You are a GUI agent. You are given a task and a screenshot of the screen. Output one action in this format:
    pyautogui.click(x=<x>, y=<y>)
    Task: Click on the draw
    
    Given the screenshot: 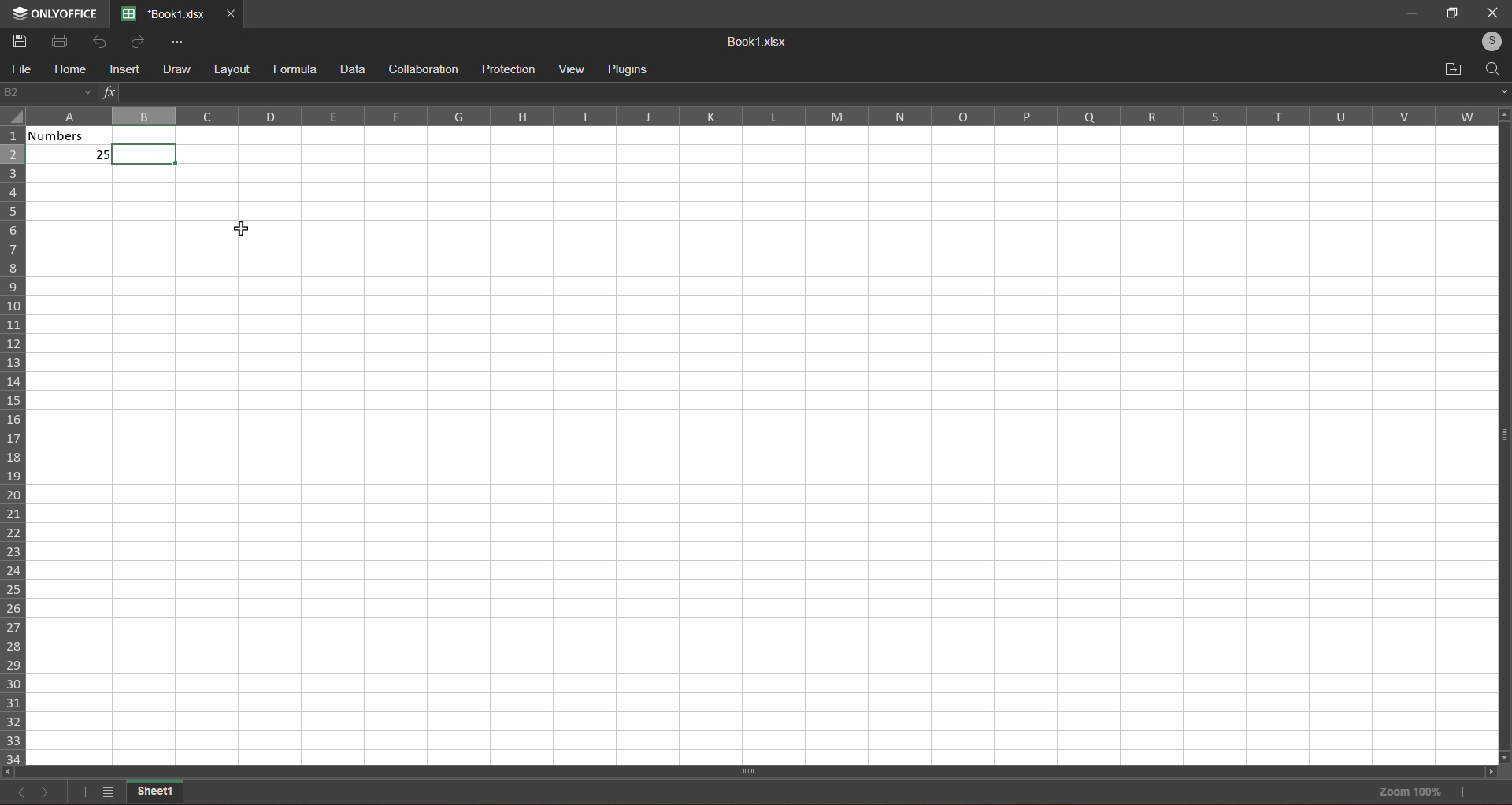 What is the action you would take?
    pyautogui.click(x=173, y=68)
    